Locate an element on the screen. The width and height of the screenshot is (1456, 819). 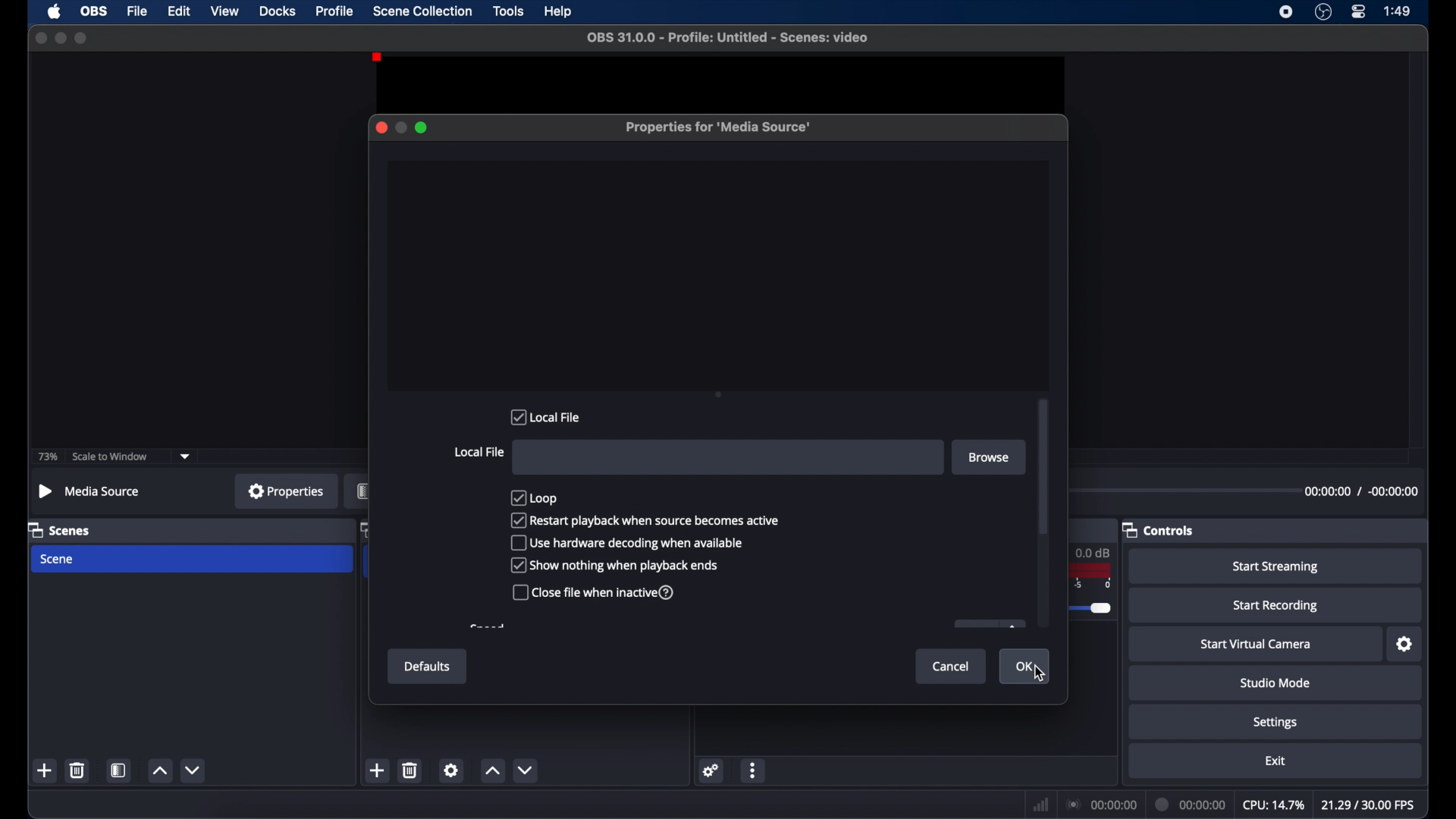
settings is located at coordinates (1277, 723).